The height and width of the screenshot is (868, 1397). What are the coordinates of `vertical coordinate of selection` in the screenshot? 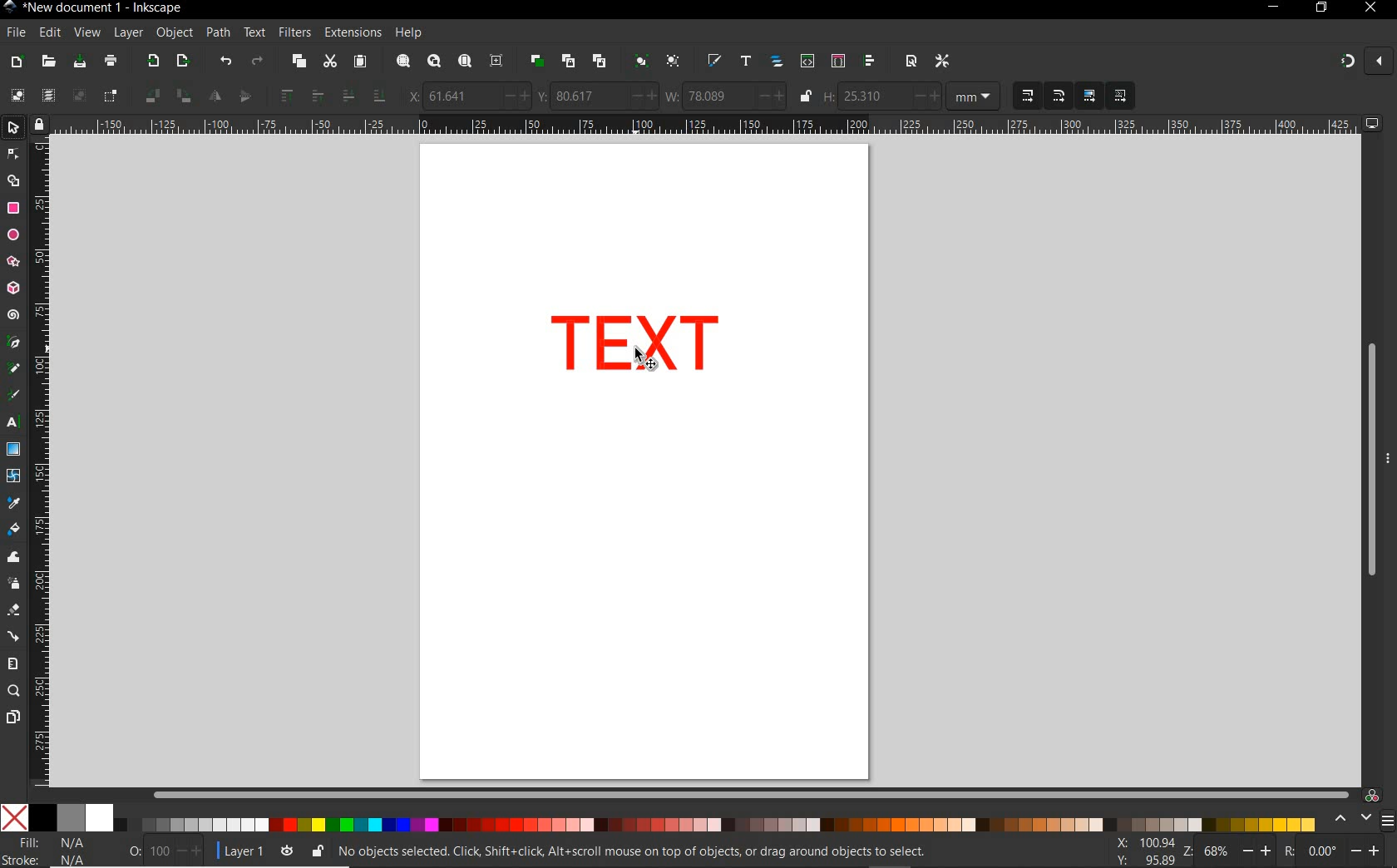 It's located at (596, 96).